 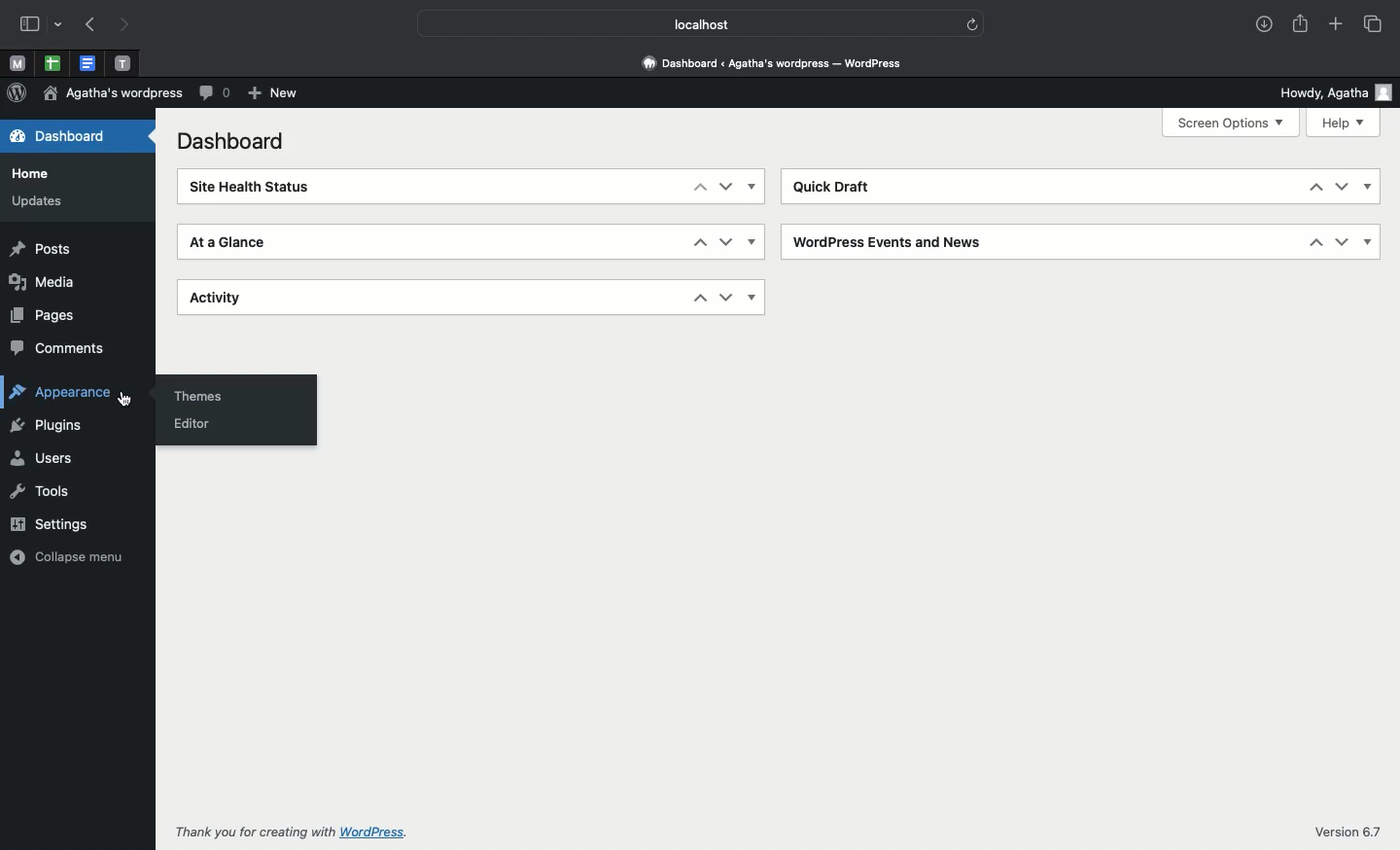 I want to click on Up, so click(x=699, y=190).